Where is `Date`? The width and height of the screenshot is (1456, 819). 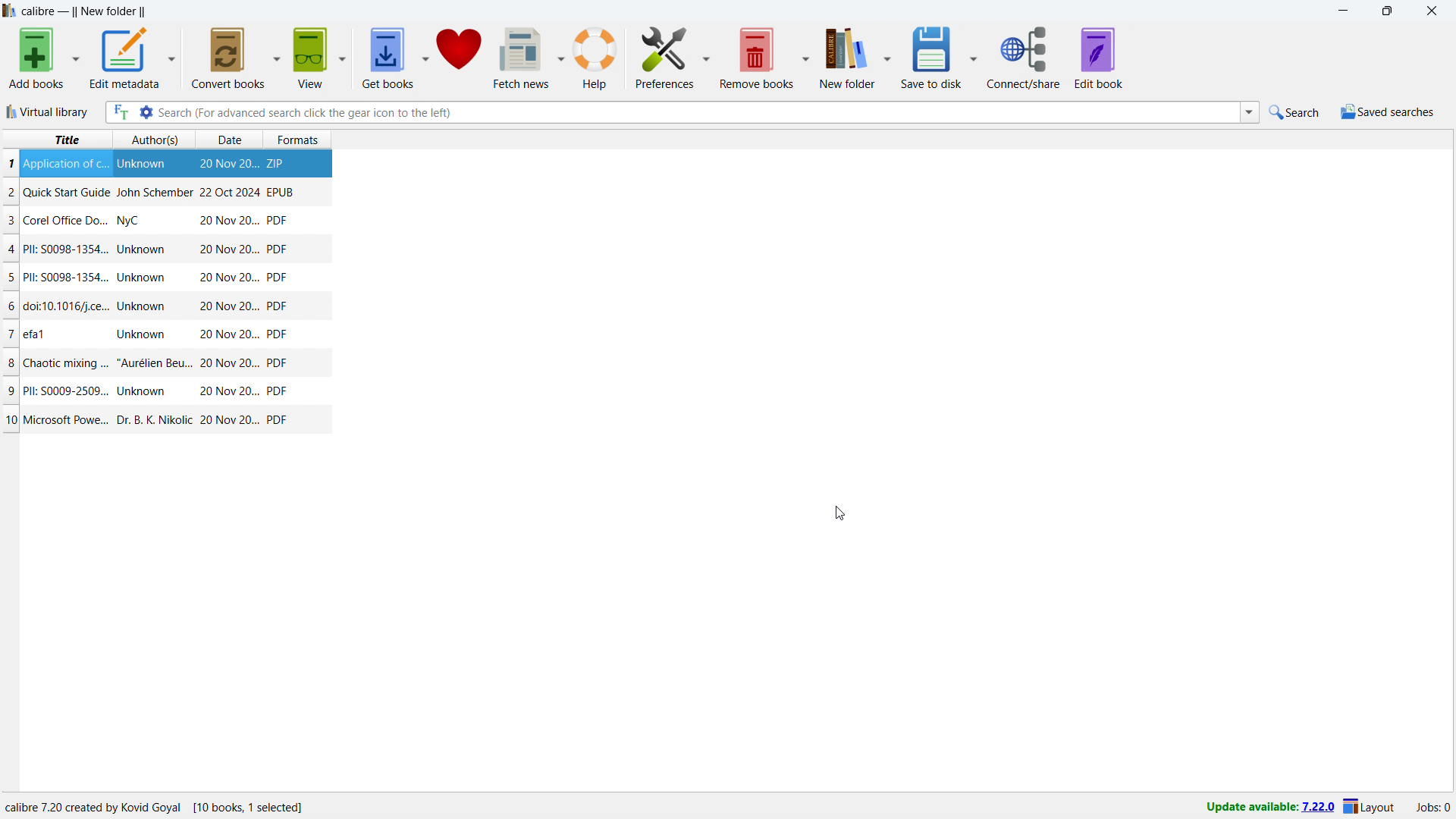 Date is located at coordinates (227, 391).